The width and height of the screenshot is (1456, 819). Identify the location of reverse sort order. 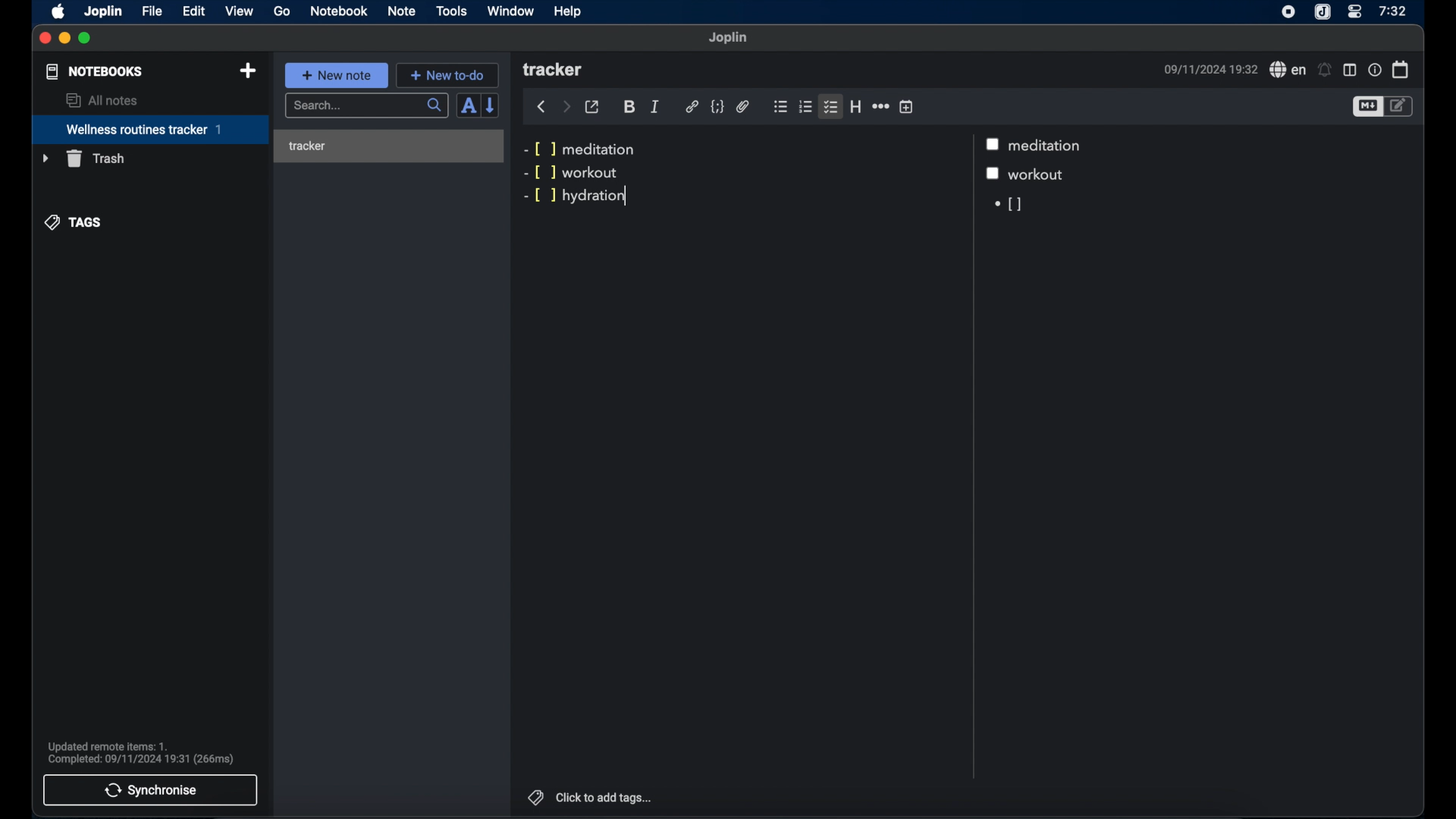
(491, 105).